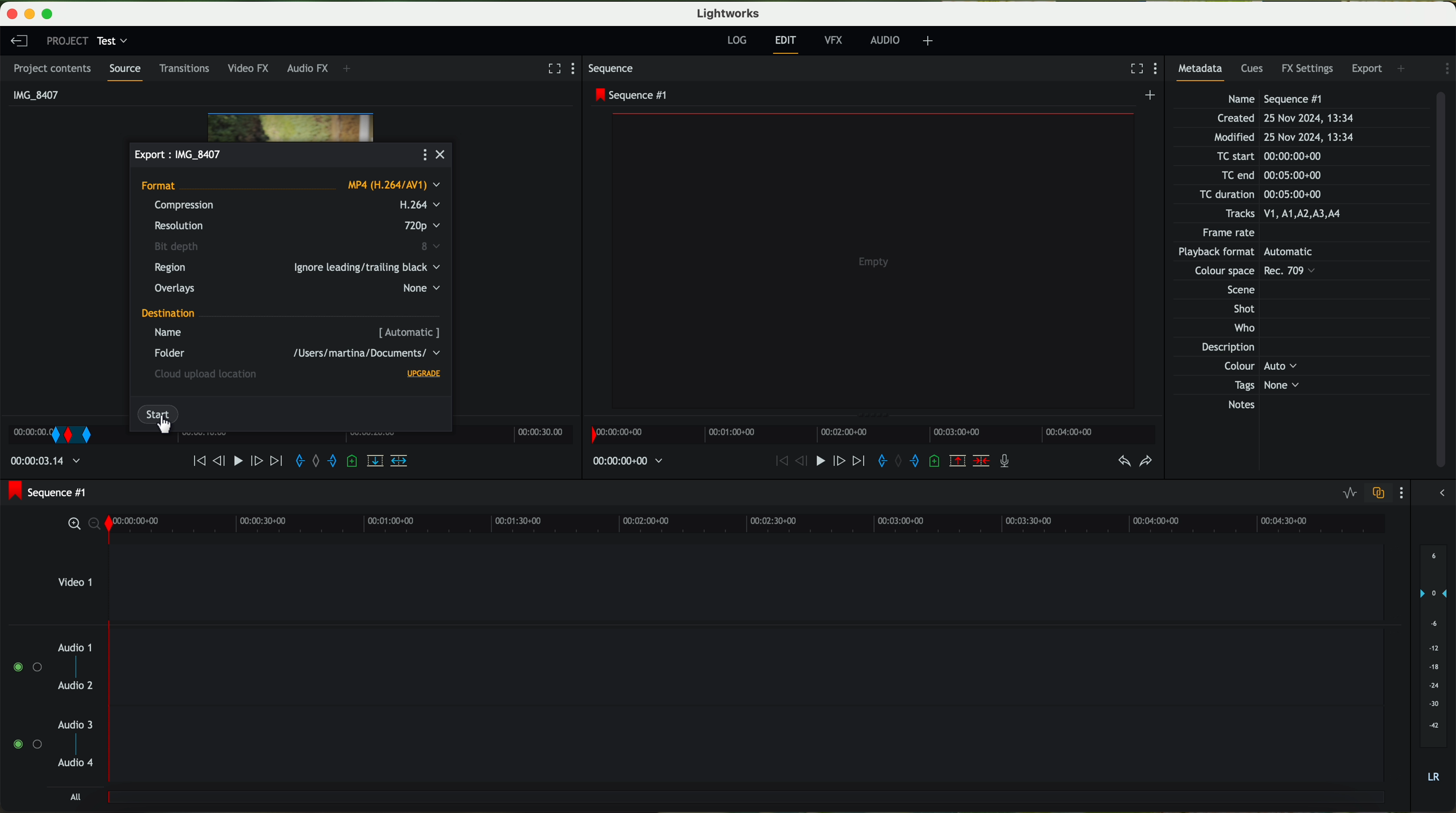 The height and width of the screenshot is (813, 1456). What do you see at coordinates (1281, 214) in the screenshot?
I see `Tracks` at bounding box center [1281, 214].